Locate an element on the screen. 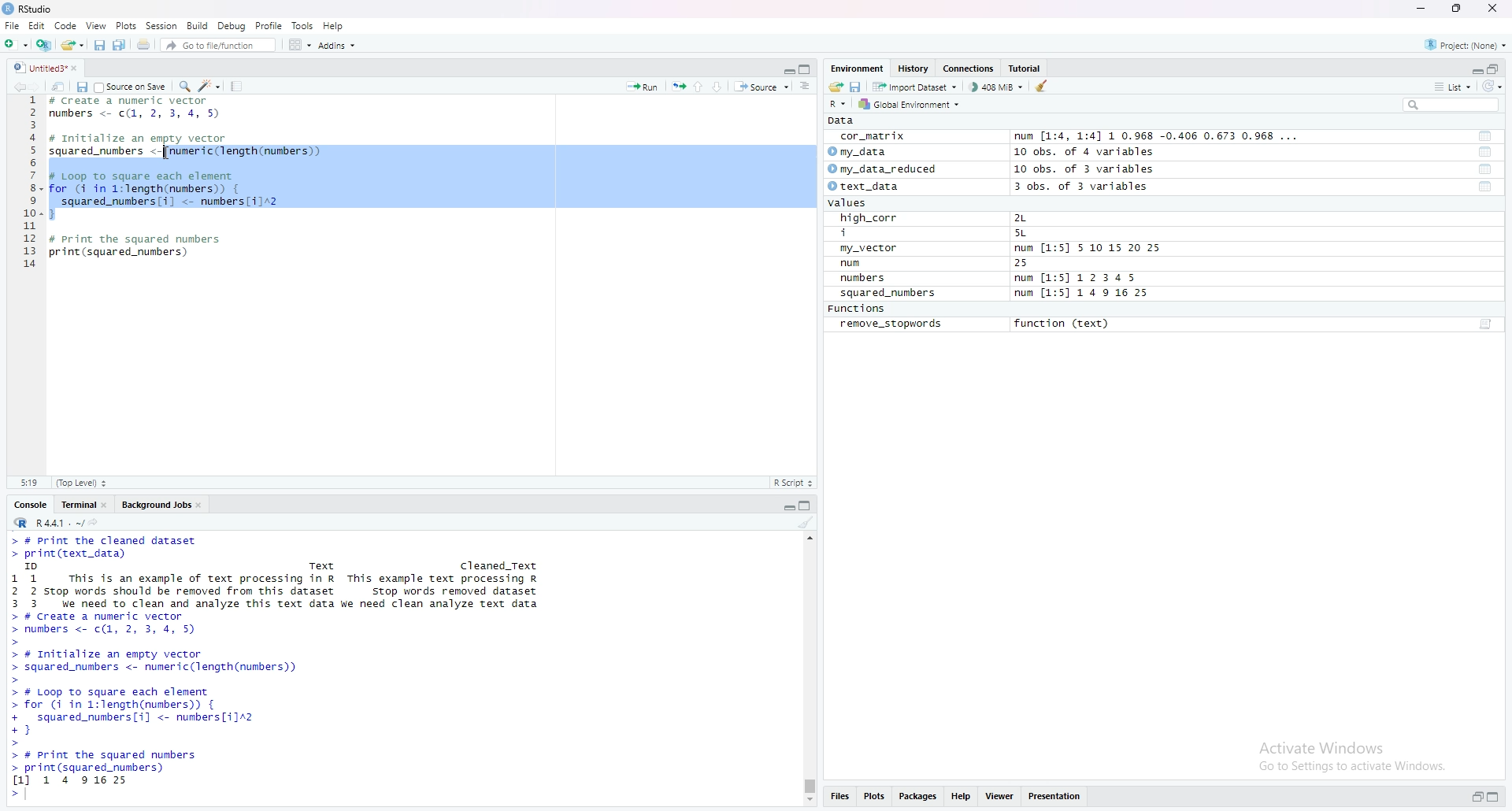  maximize is located at coordinates (1458, 9).